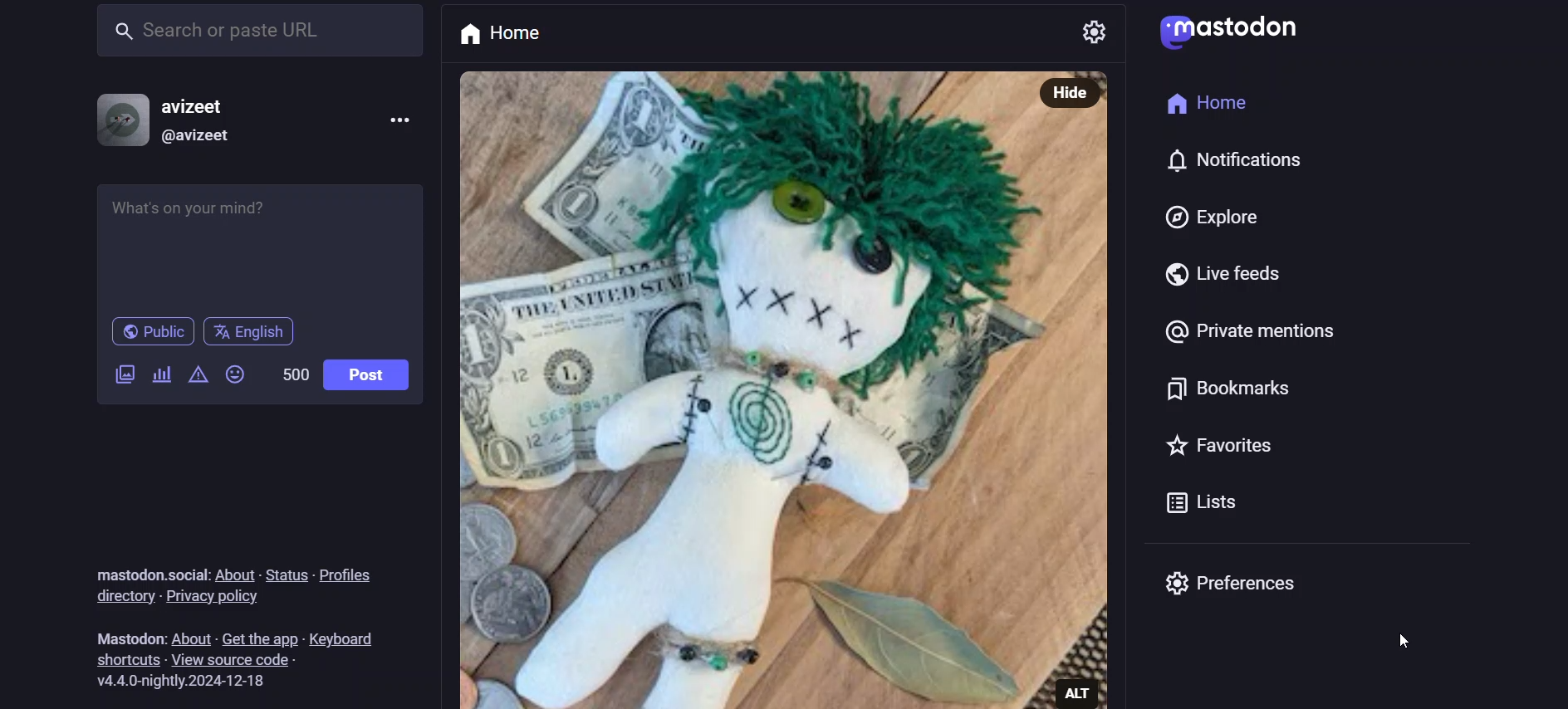 The image size is (1568, 709). What do you see at coordinates (236, 573) in the screenshot?
I see `About` at bounding box center [236, 573].